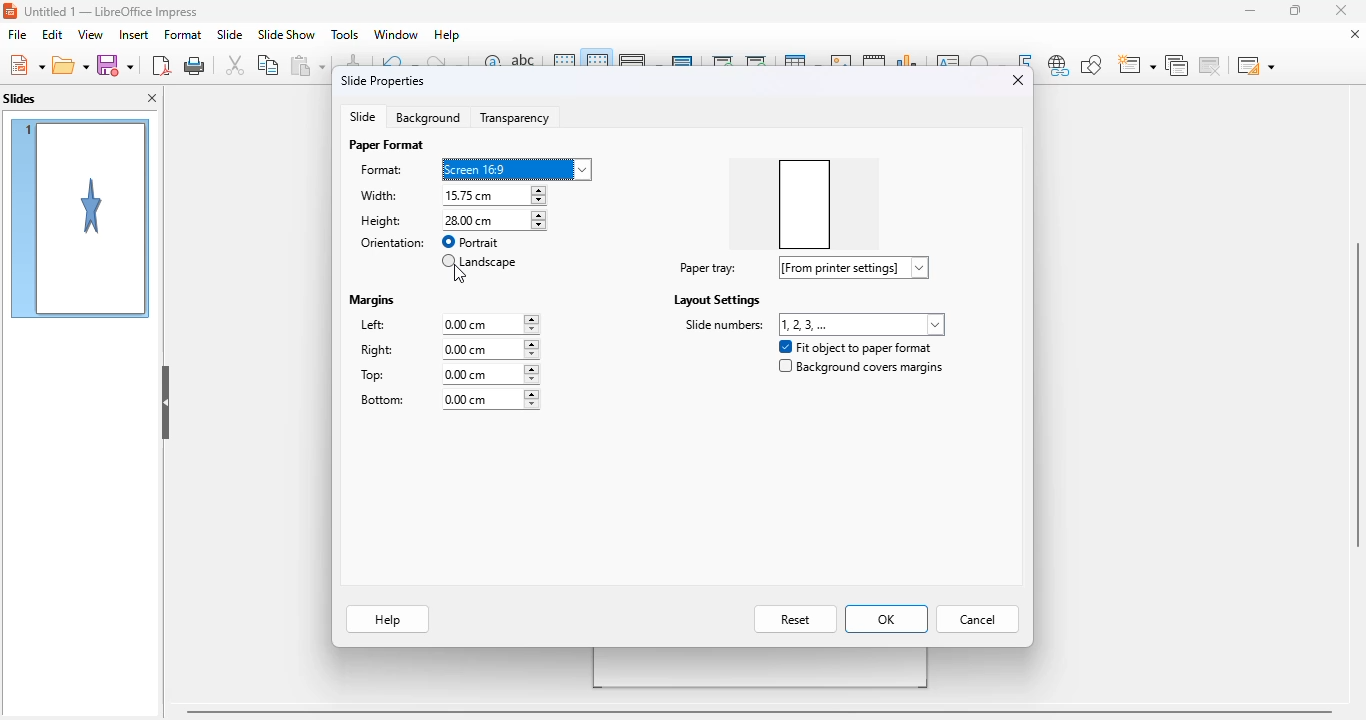  Describe the element at coordinates (482, 195) in the screenshot. I see `width: 15.75 cm` at that location.